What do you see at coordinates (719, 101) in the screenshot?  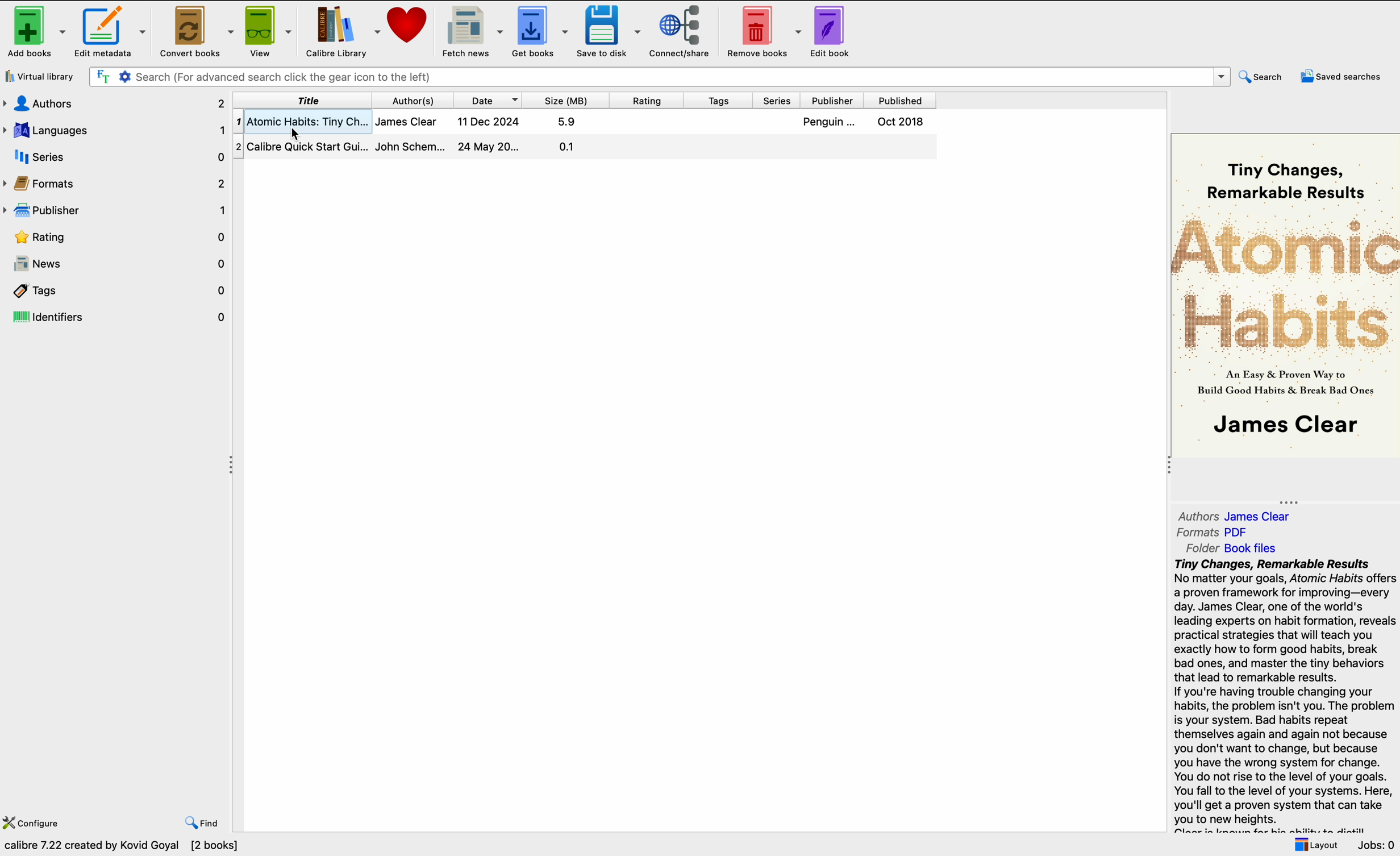 I see `tags` at bounding box center [719, 101].